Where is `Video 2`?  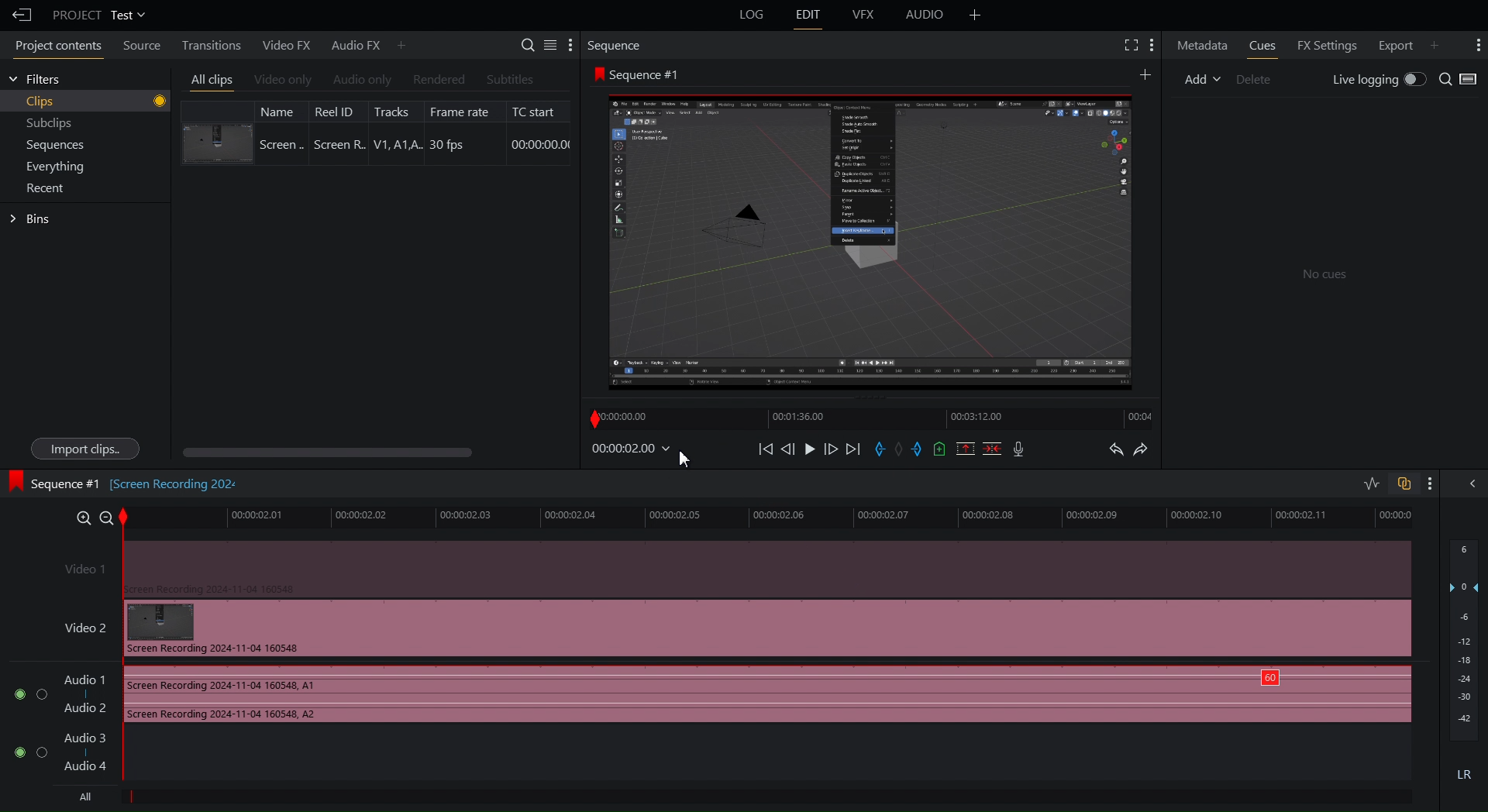
Video 2 is located at coordinates (728, 628).